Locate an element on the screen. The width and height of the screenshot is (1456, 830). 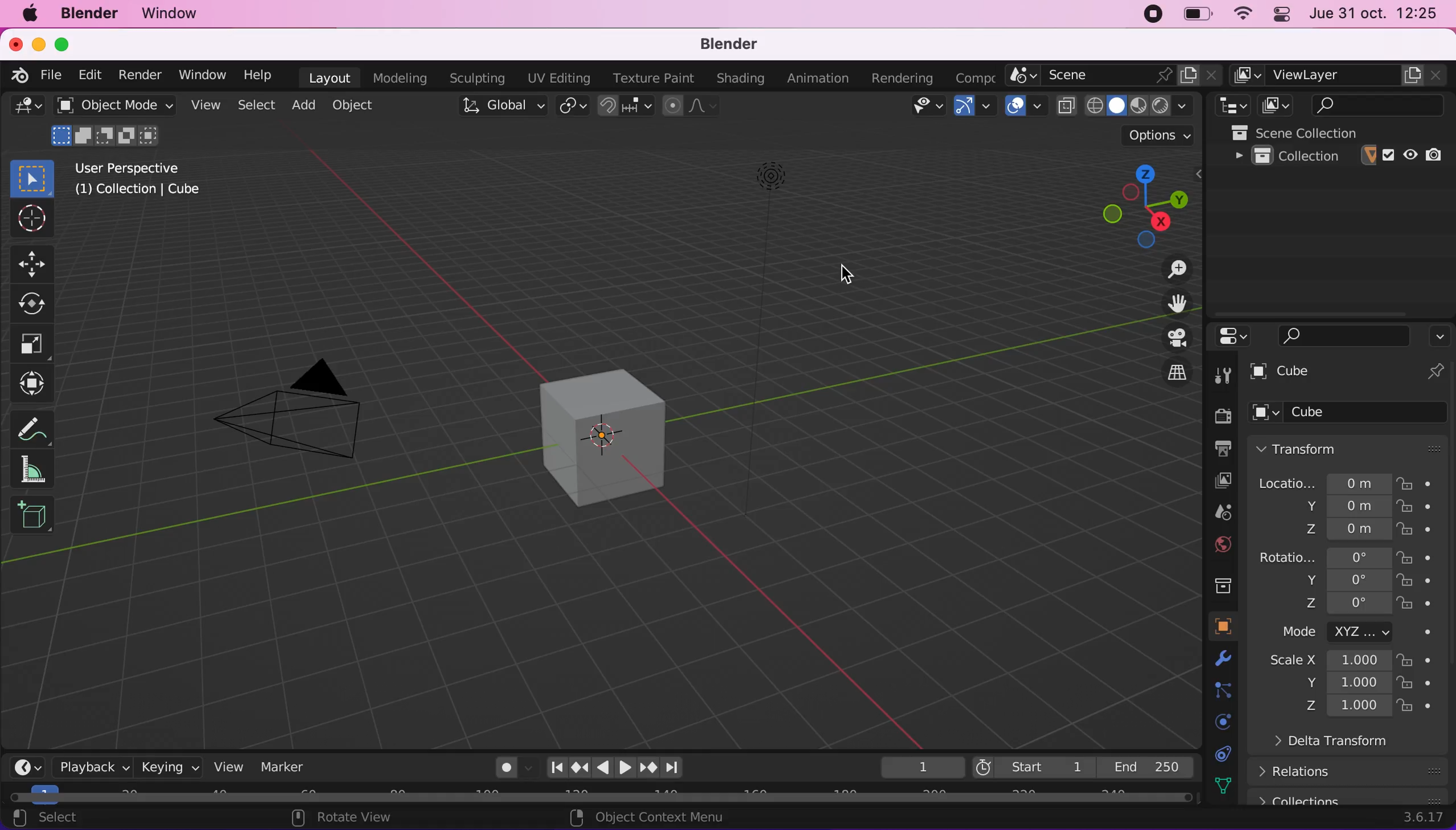
toggle x ray is located at coordinates (1066, 105).